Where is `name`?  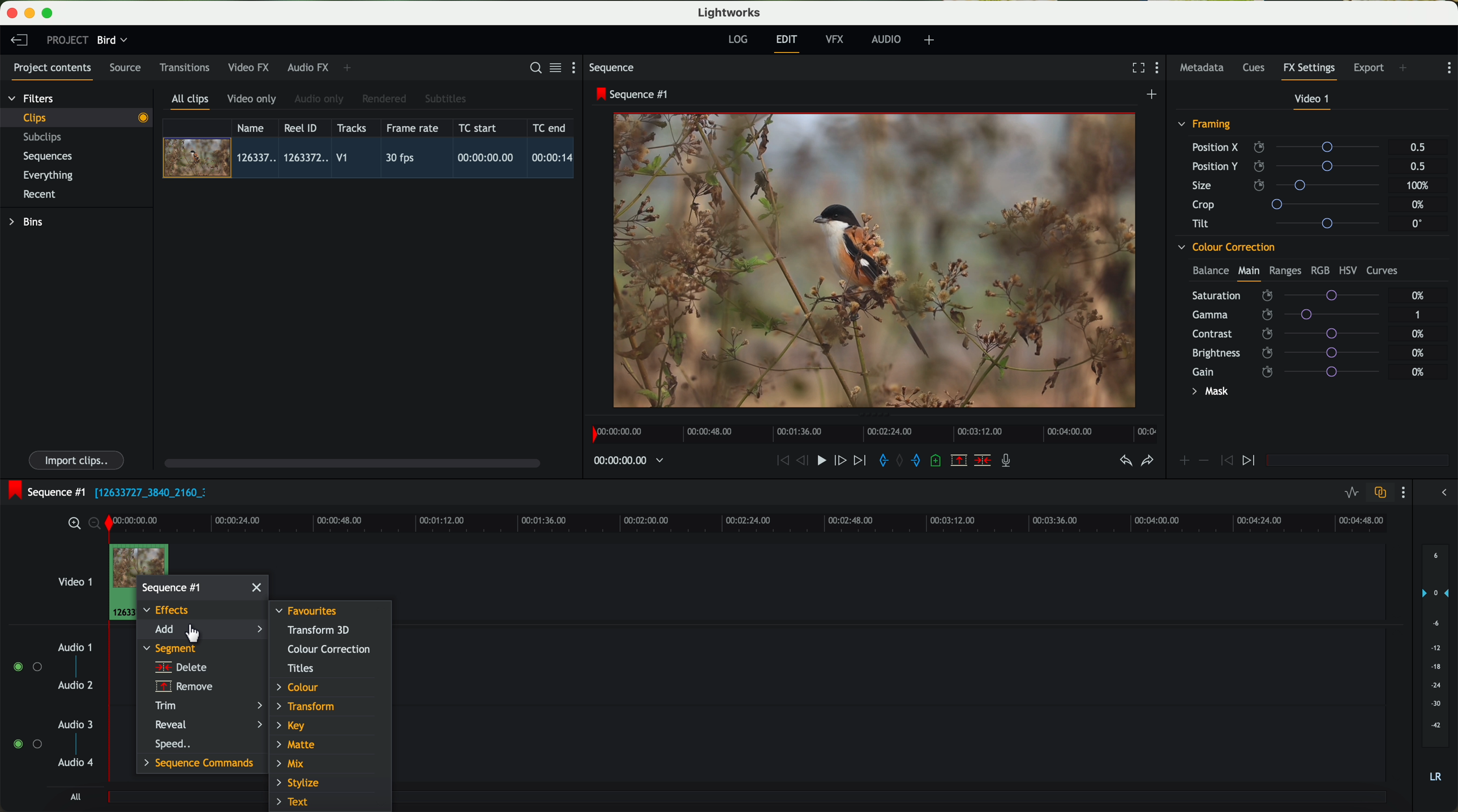 name is located at coordinates (255, 128).